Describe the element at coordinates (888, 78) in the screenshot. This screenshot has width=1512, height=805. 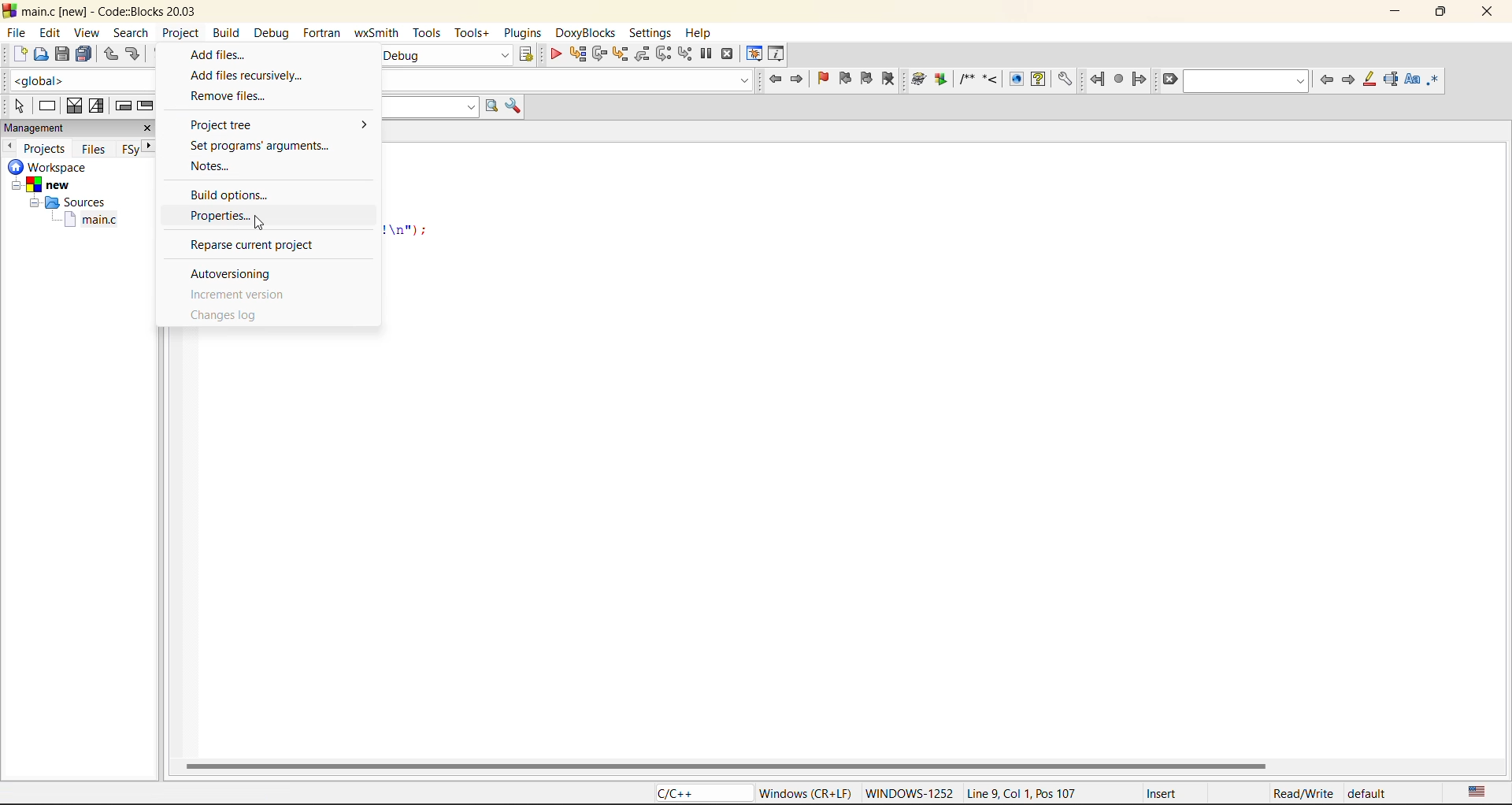
I see `clear bookmark` at that location.